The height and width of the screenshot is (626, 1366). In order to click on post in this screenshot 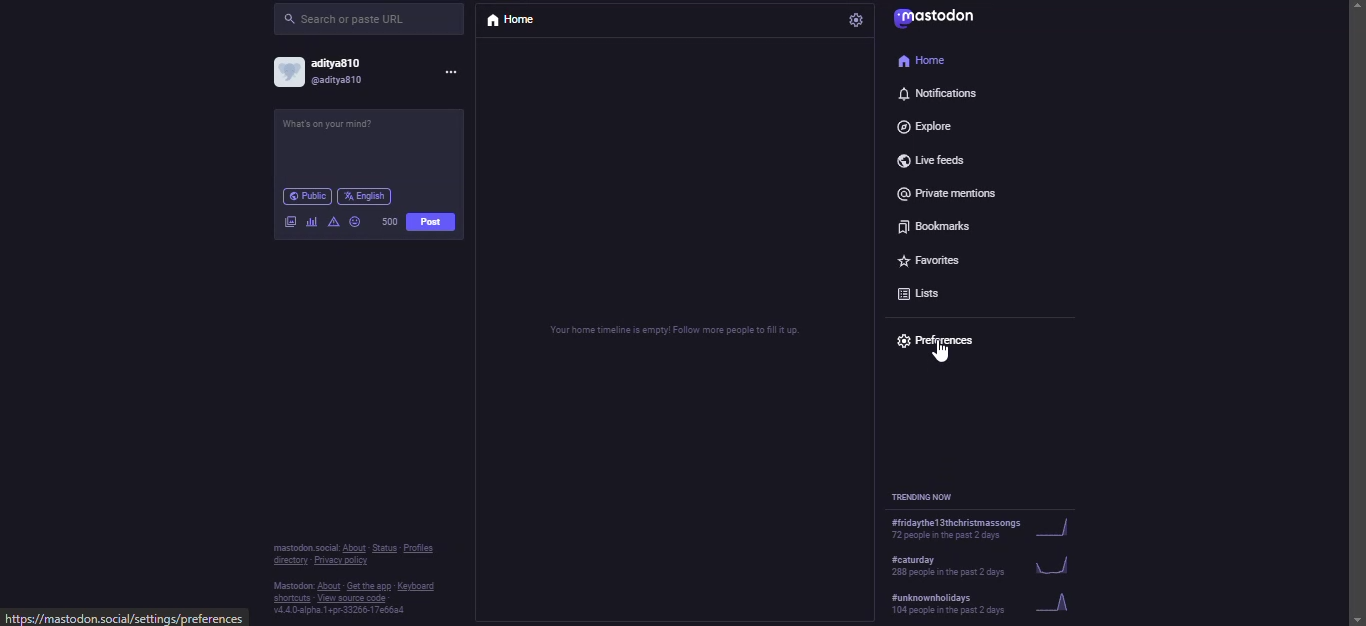, I will do `click(430, 223)`.